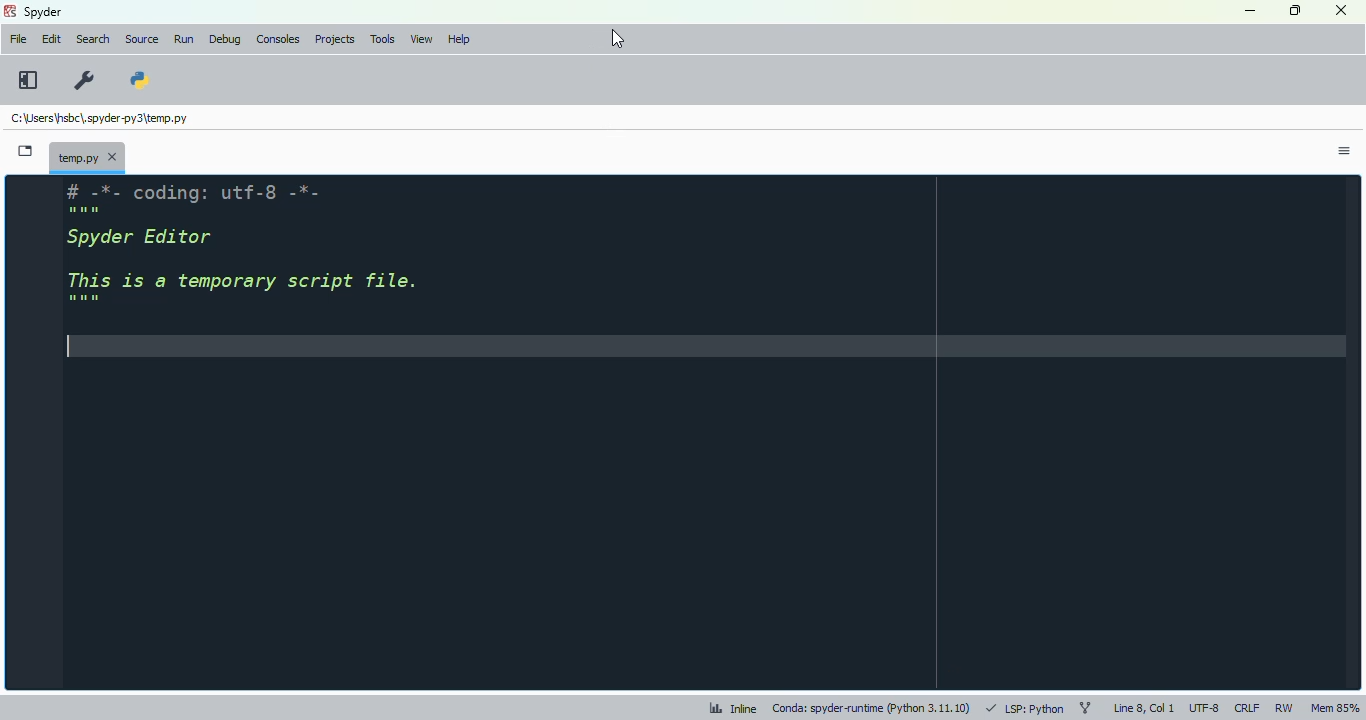 The image size is (1366, 720). I want to click on run, so click(184, 39).